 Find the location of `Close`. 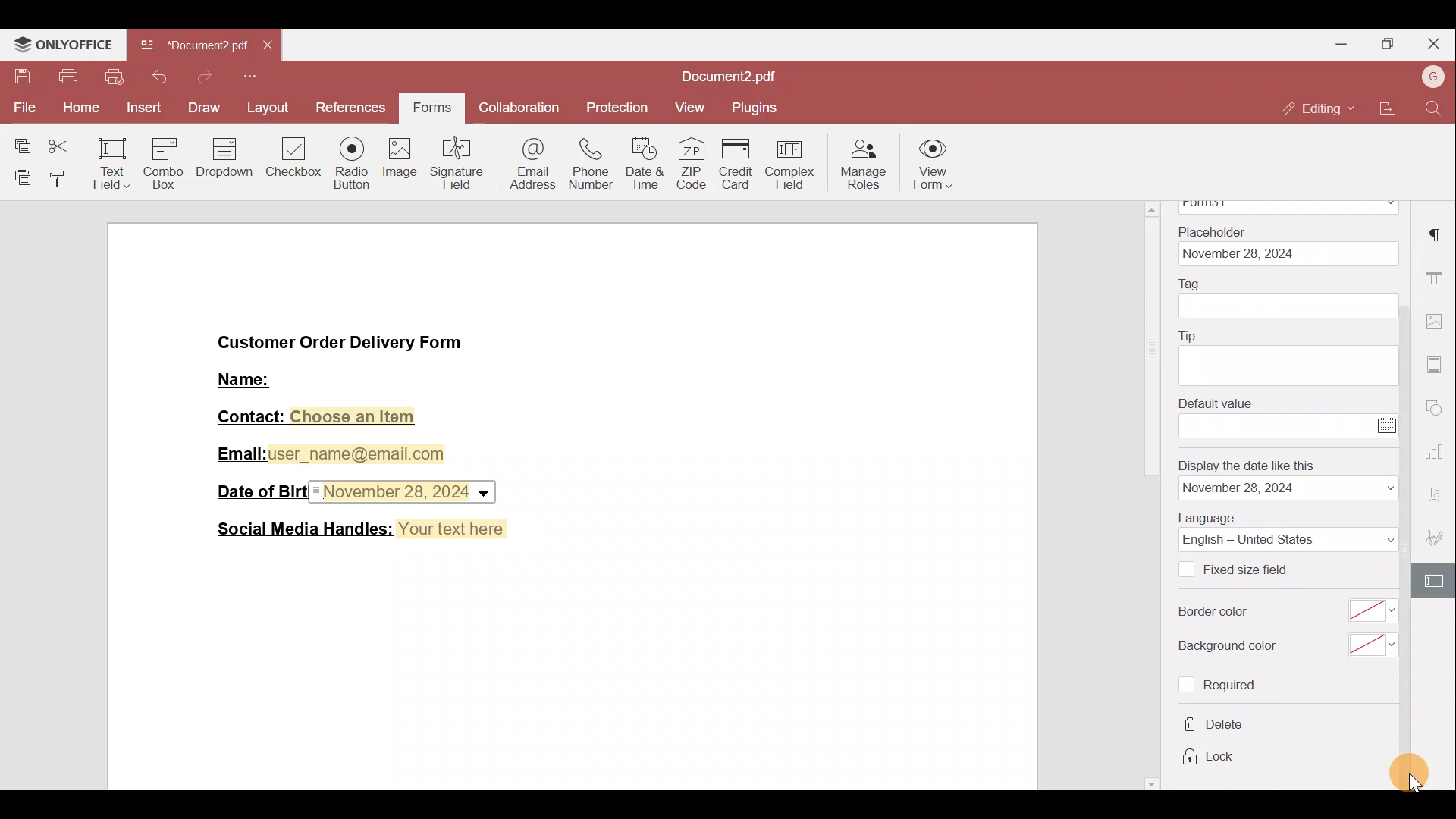

Close is located at coordinates (1434, 44).